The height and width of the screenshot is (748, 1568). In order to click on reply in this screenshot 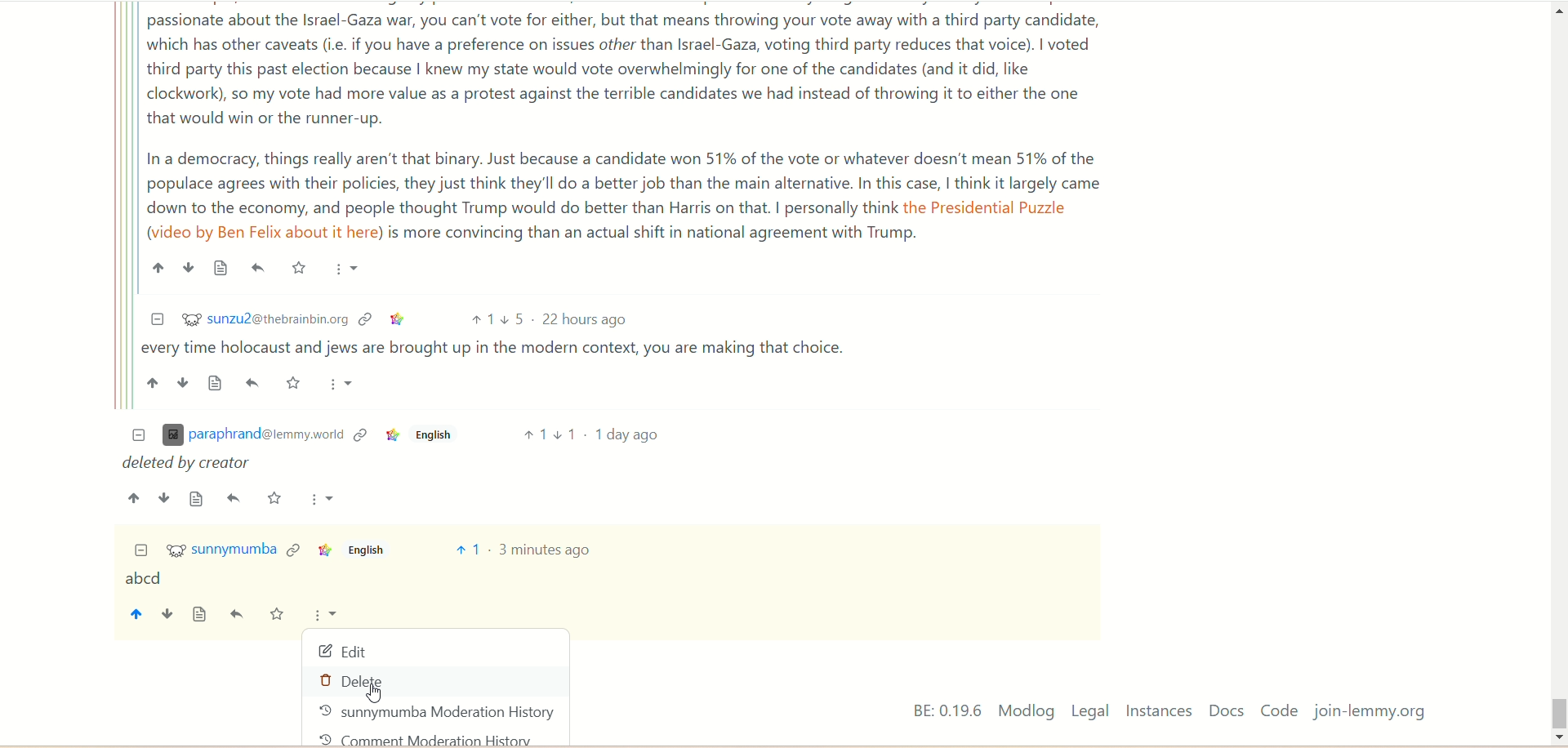, I will do `click(239, 615)`.